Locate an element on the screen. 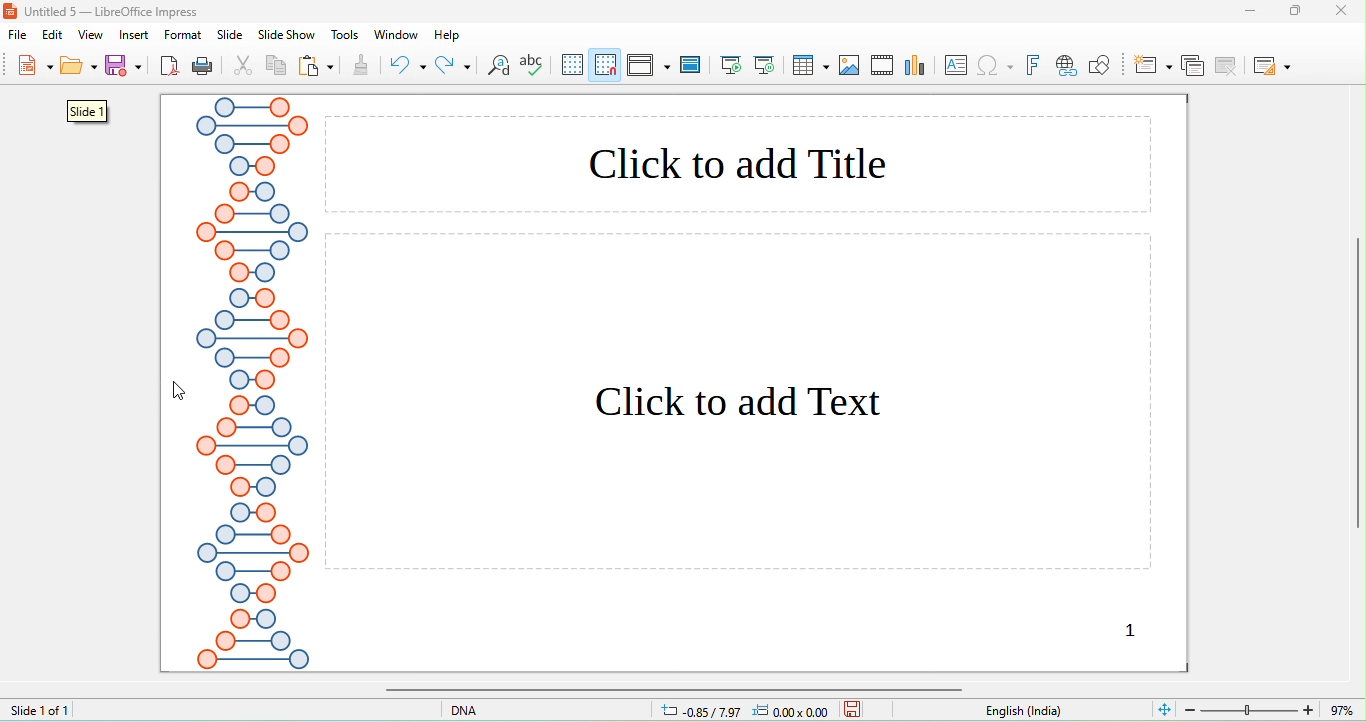  click to add text is located at coordinates (741, 403).